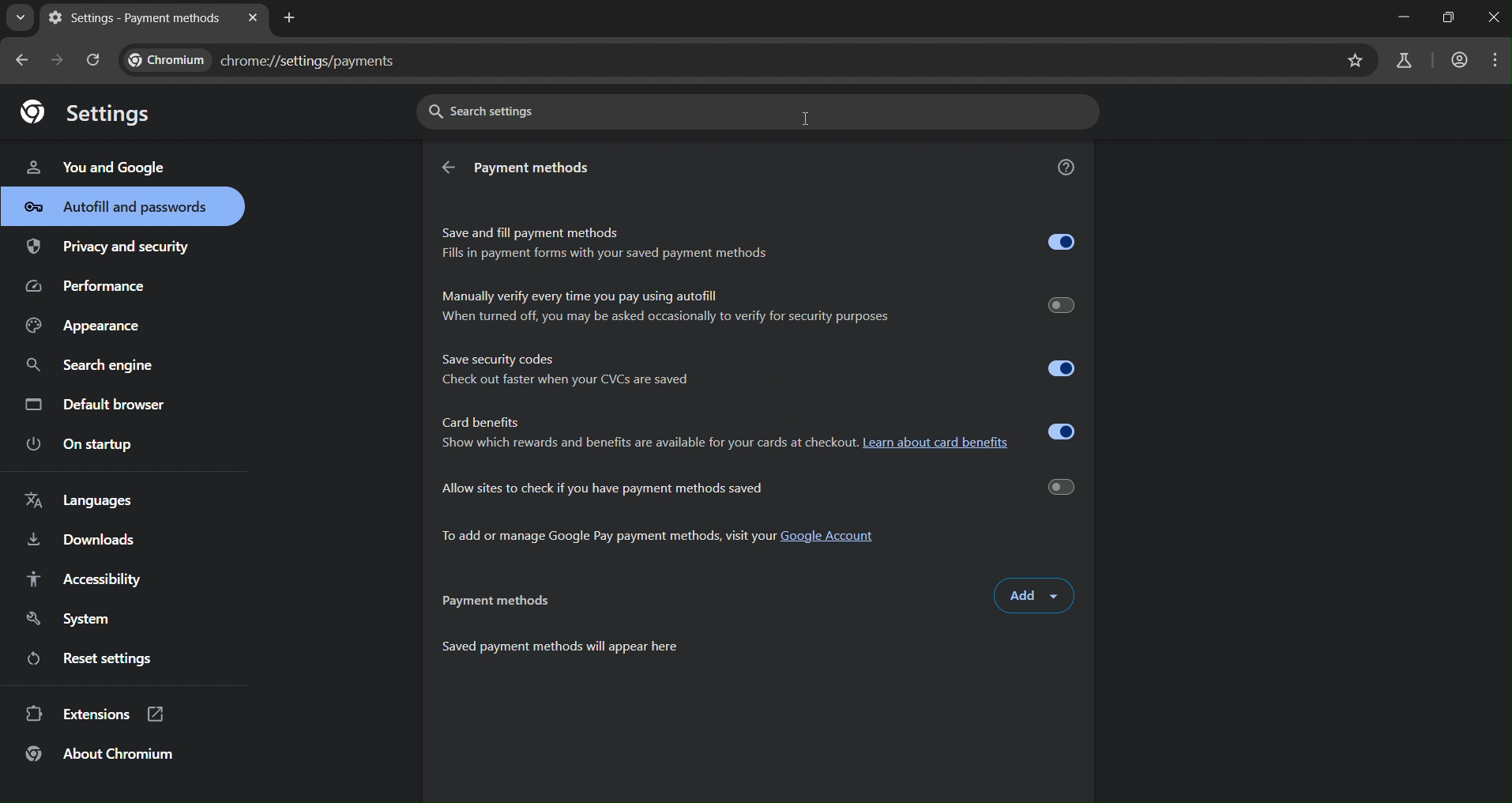 The height and width of the screenshot is (803, 1512). Describe the element at coordinates (112, 247) in the screenshot. I see `privacy & security` at that location.